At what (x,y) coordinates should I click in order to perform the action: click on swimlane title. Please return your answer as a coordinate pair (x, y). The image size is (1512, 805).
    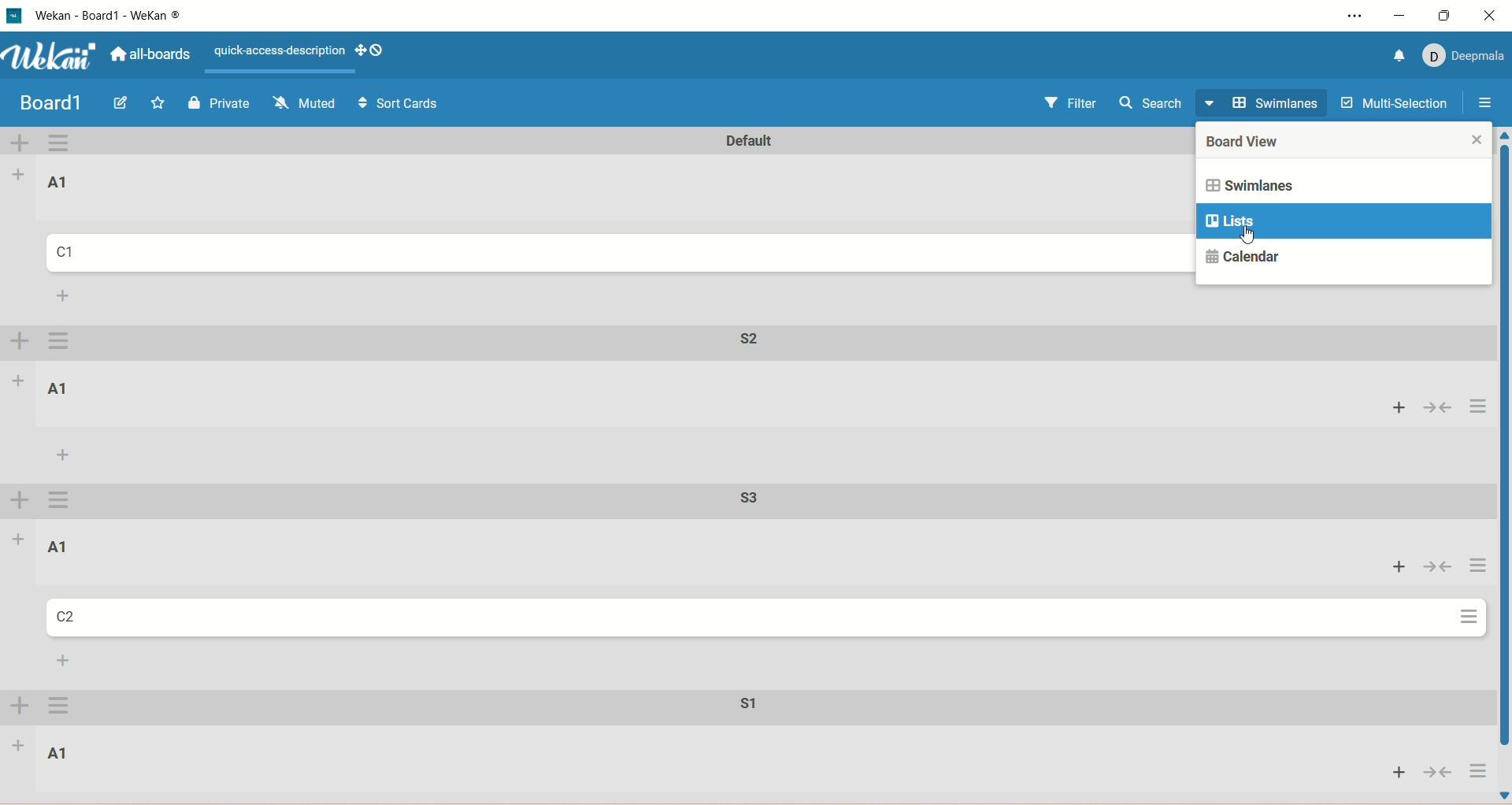
    Looking at the image, I should click on (738, 710).